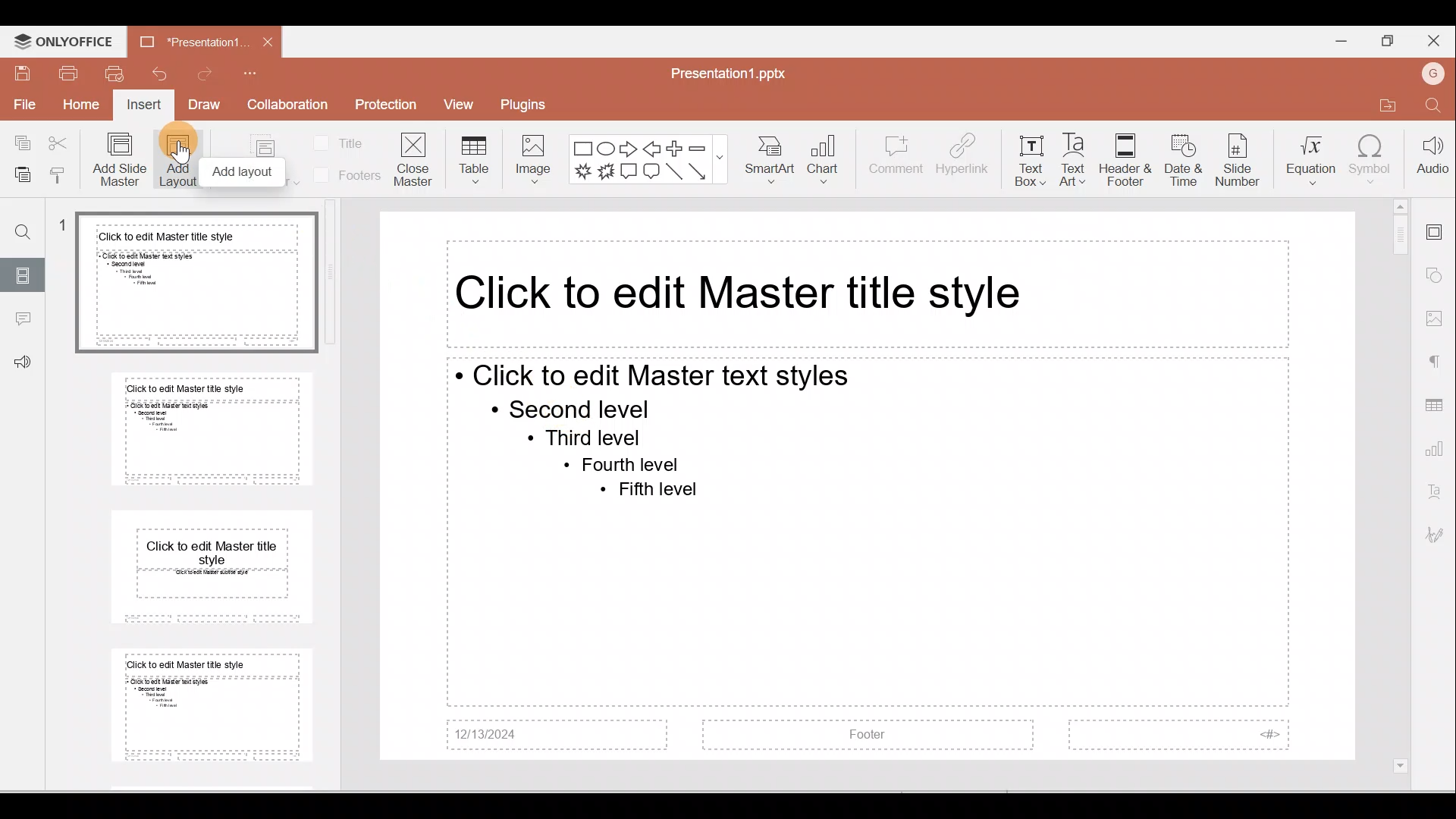 The image size is (1456, 819). I want to click on Close, so click(268, 39).